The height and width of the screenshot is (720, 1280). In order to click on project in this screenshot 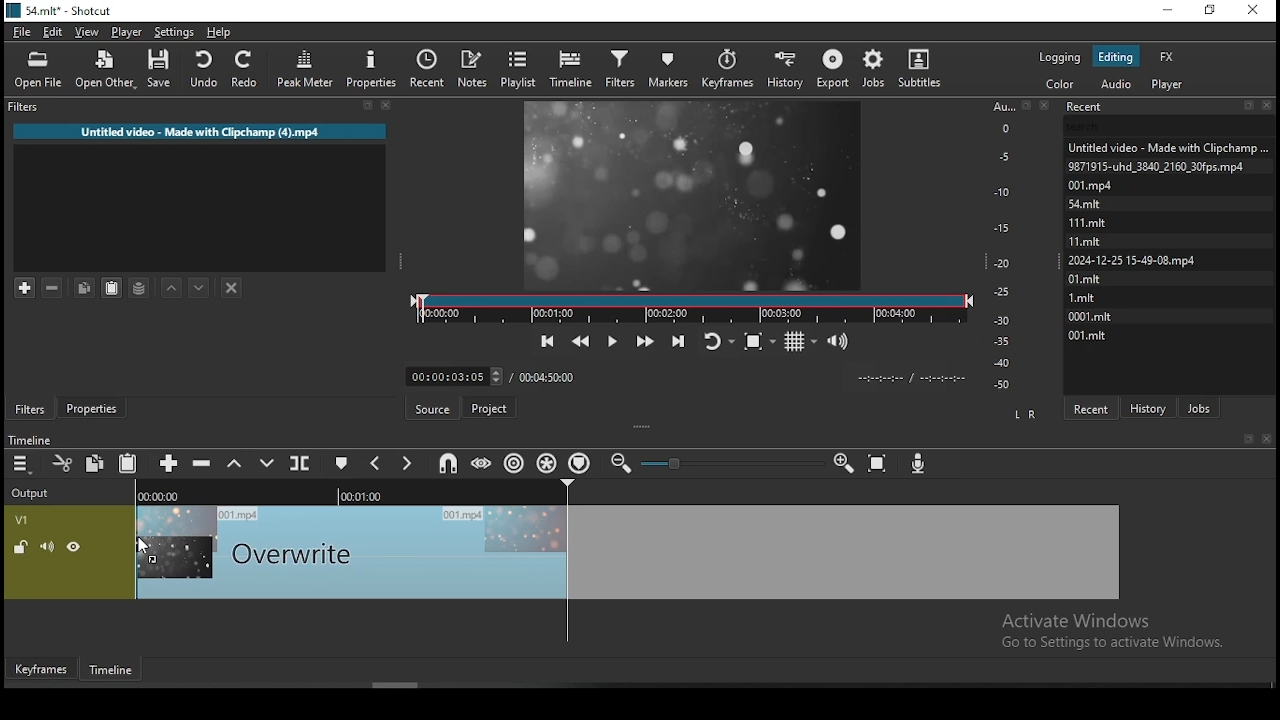, I will do `click(491, 407)`.